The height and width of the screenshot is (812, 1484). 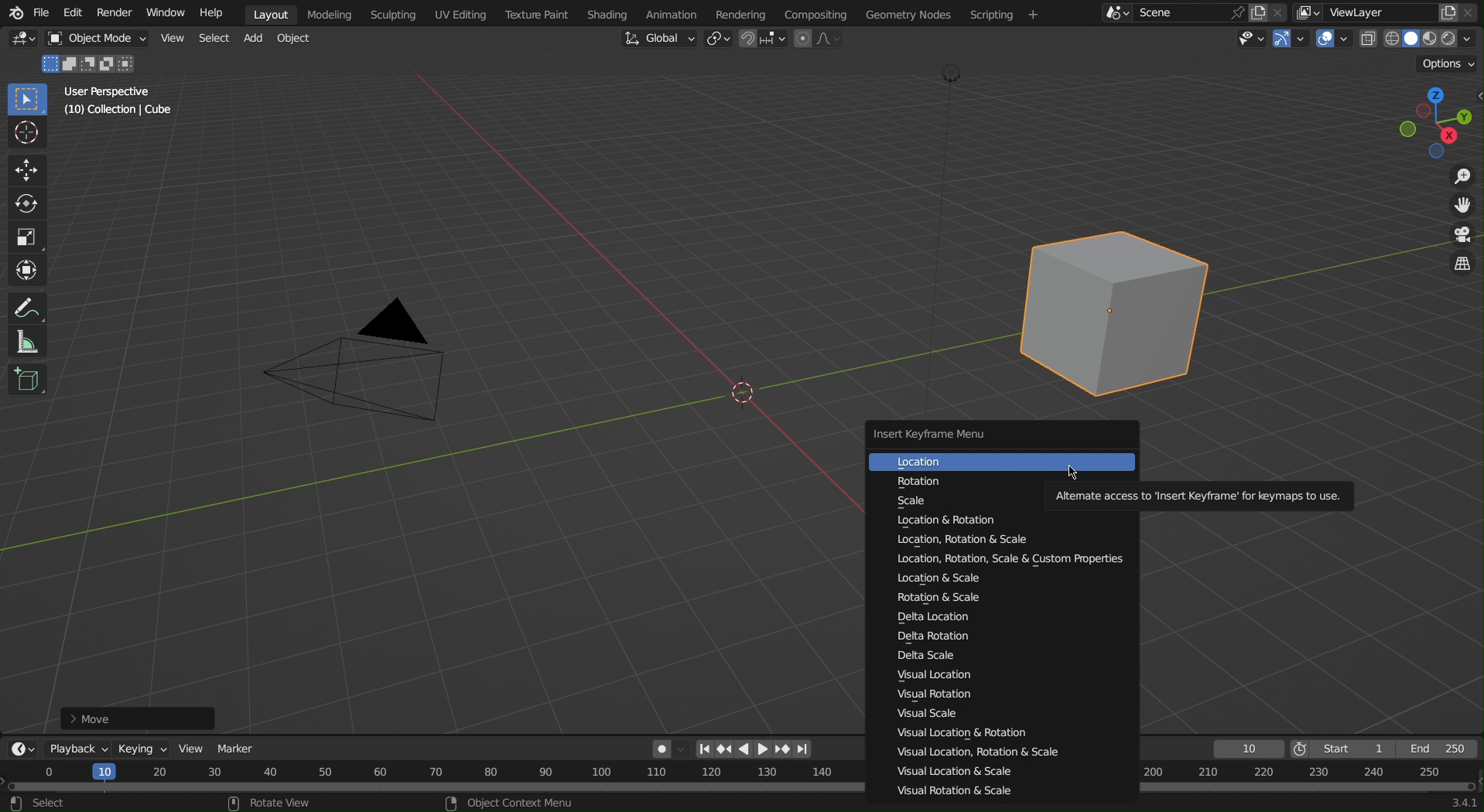 What do you see at coordinates (539, 12) in the screenshot?
I see `Texture Paint` at bounding box center [539, 12].